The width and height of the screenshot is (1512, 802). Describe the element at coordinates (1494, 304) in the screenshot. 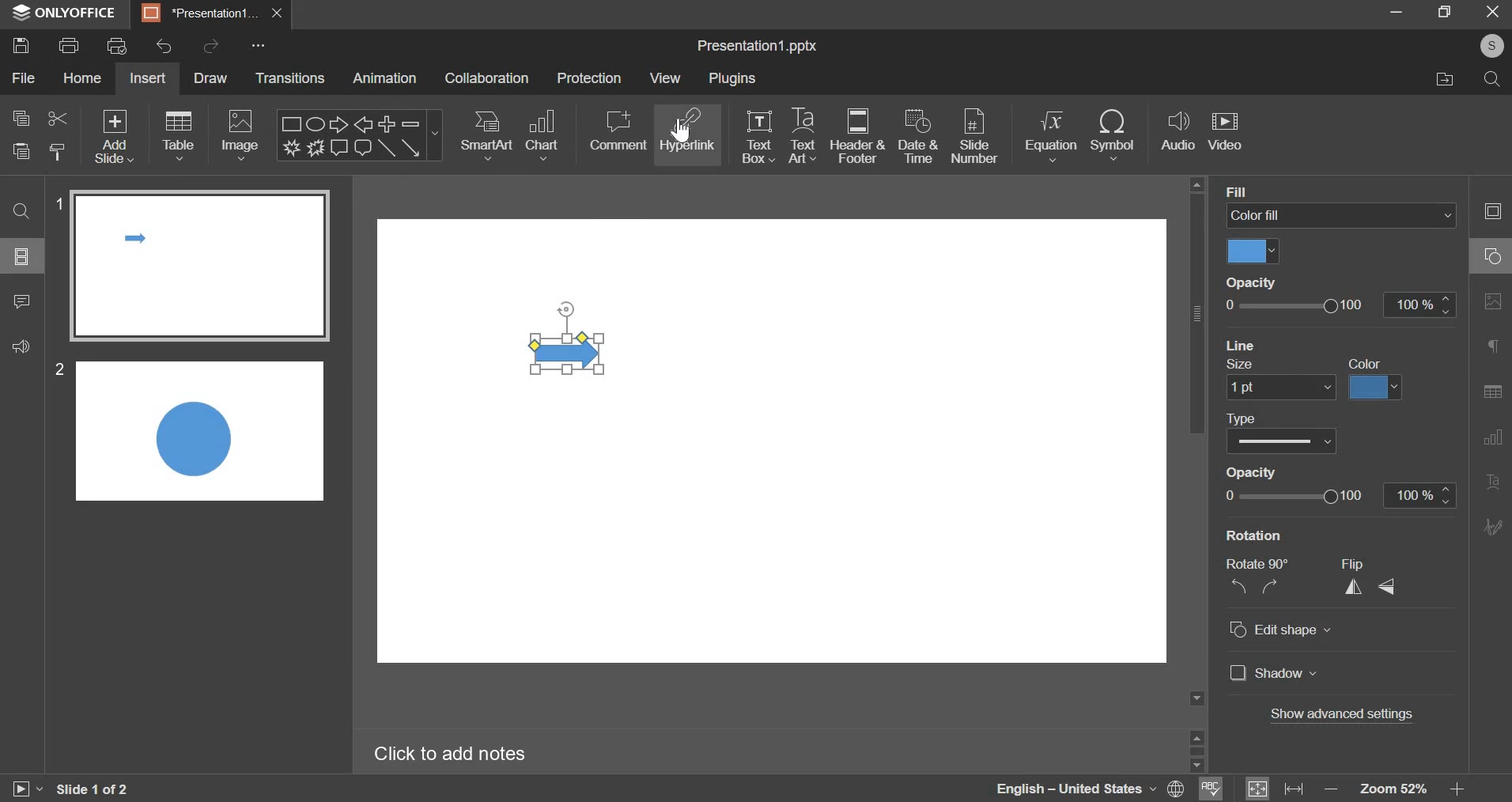

I see `Image settings` at that location.